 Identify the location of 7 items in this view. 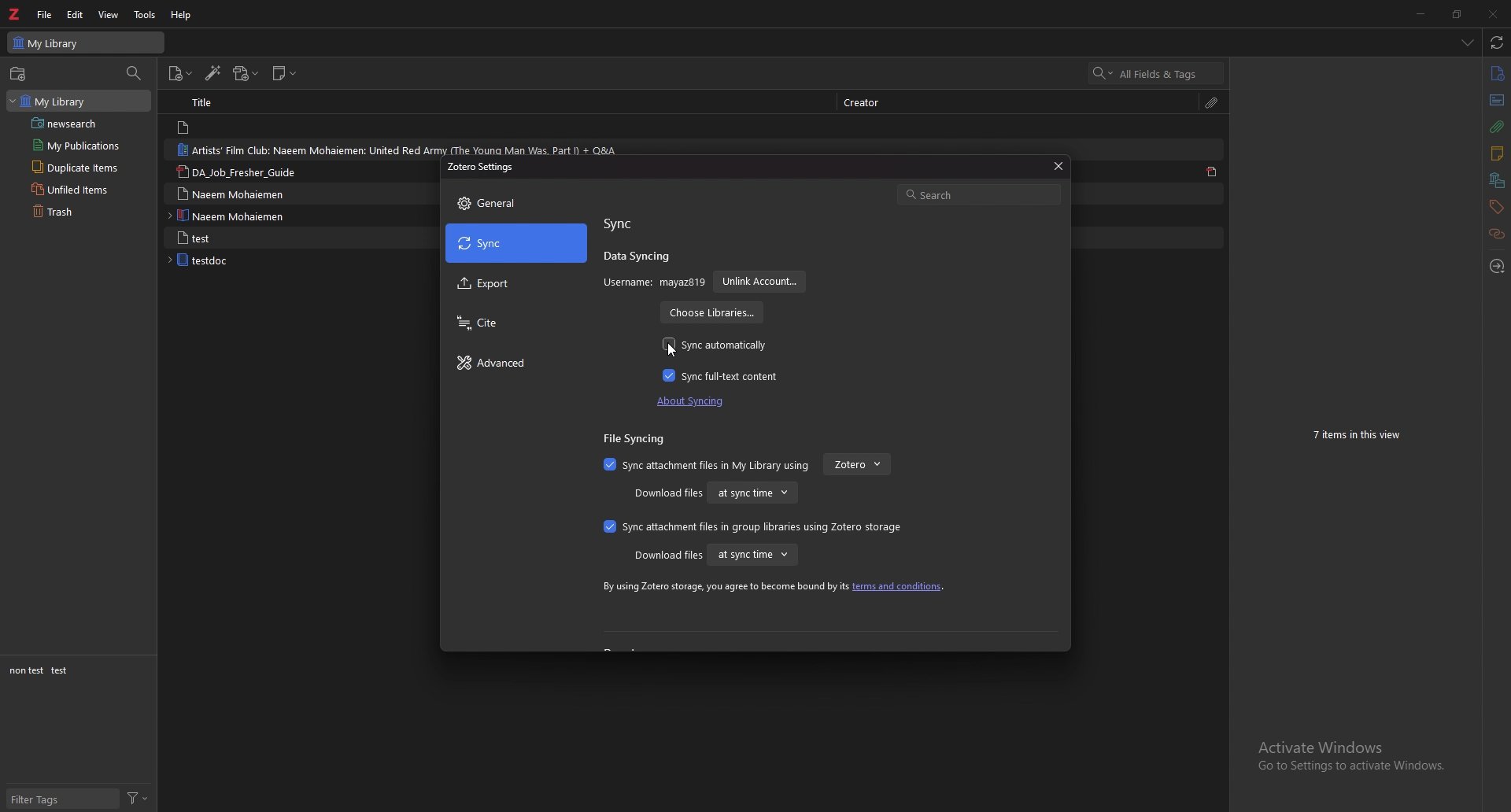
(1363, 435).